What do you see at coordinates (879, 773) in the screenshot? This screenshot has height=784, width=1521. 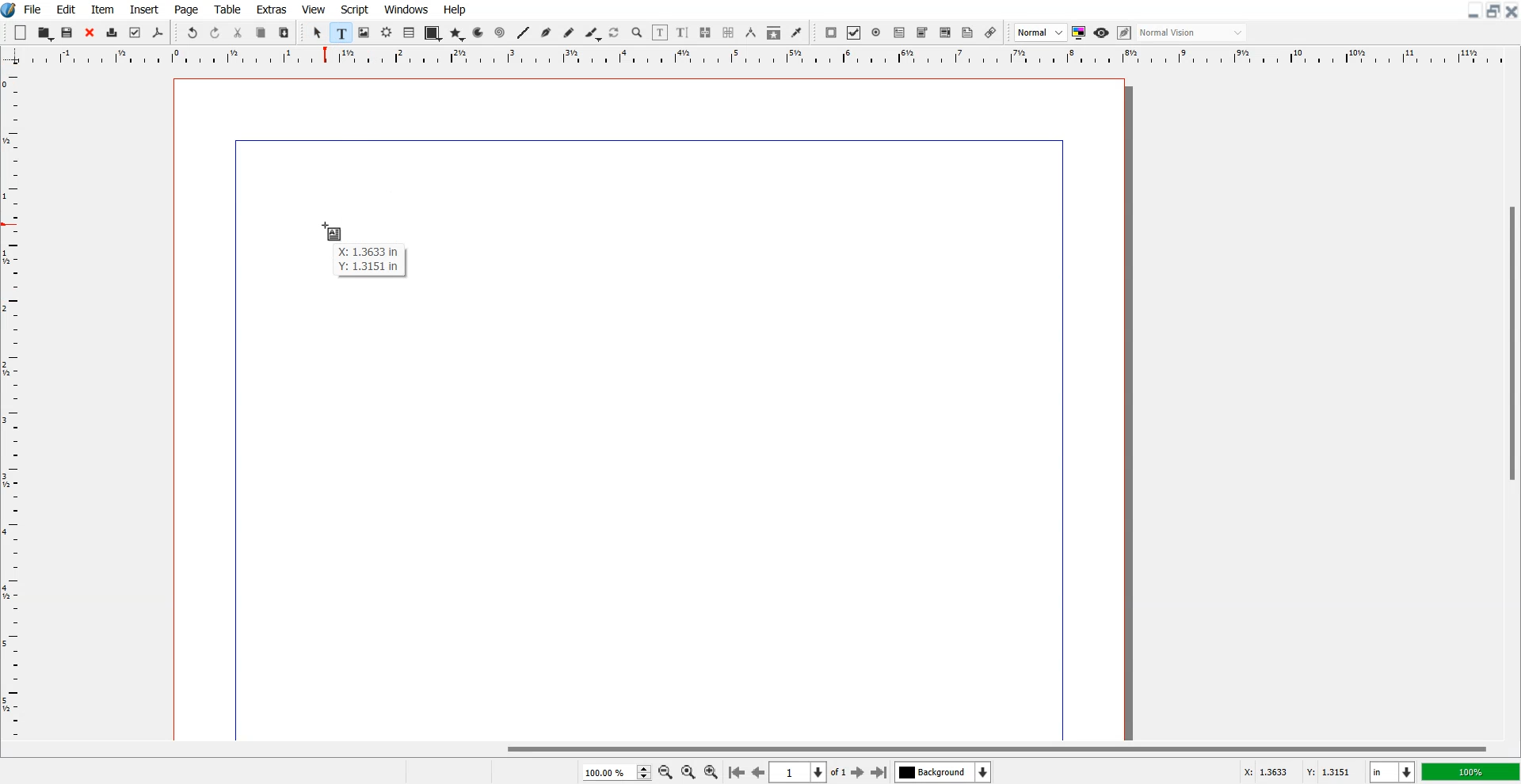 I see `Go to Last Page` at bounding box center [879, 773].